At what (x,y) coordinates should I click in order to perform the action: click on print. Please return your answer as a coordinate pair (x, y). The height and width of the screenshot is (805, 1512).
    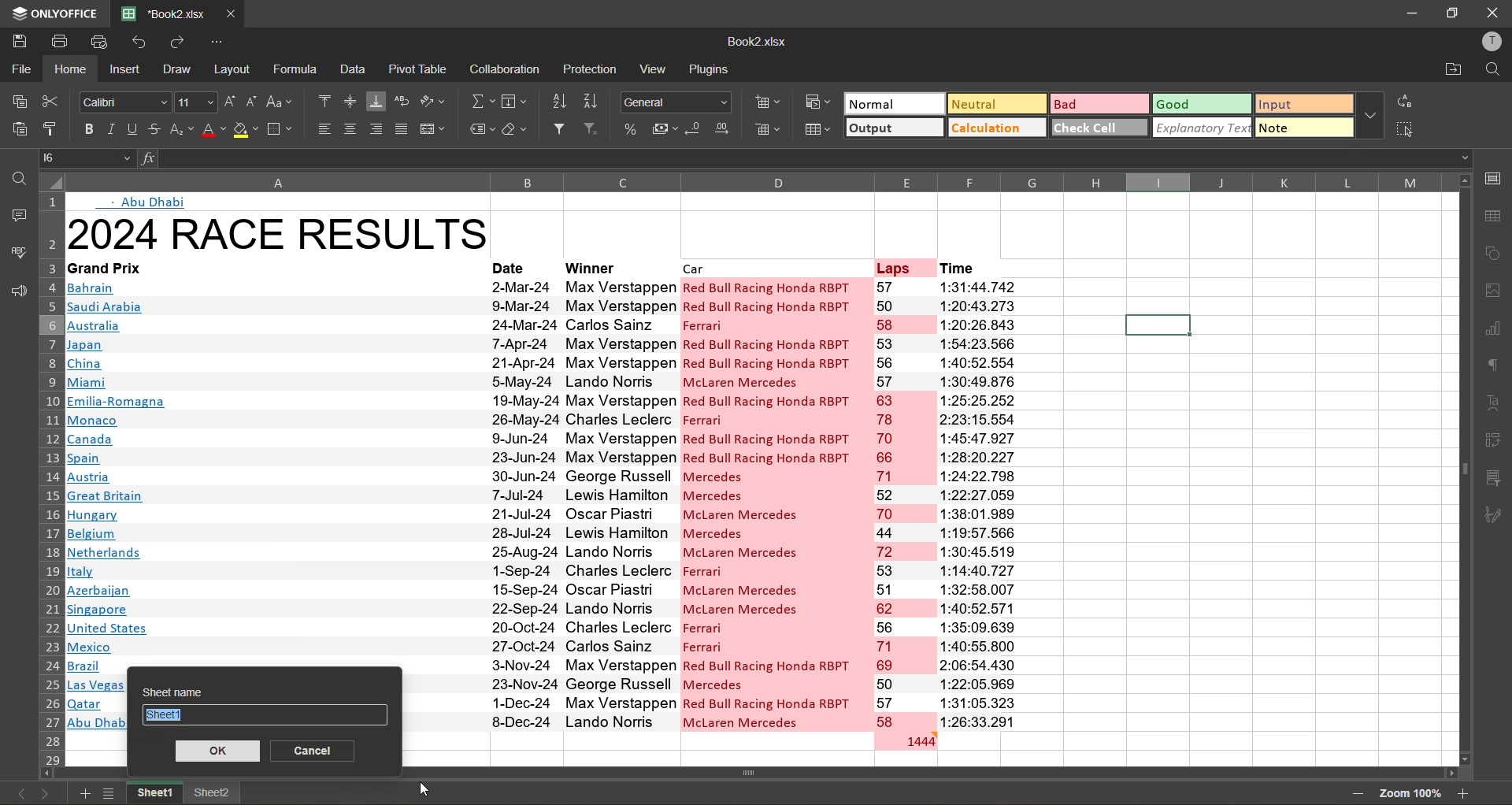
    Looking at the image, I should click on (58, 42).